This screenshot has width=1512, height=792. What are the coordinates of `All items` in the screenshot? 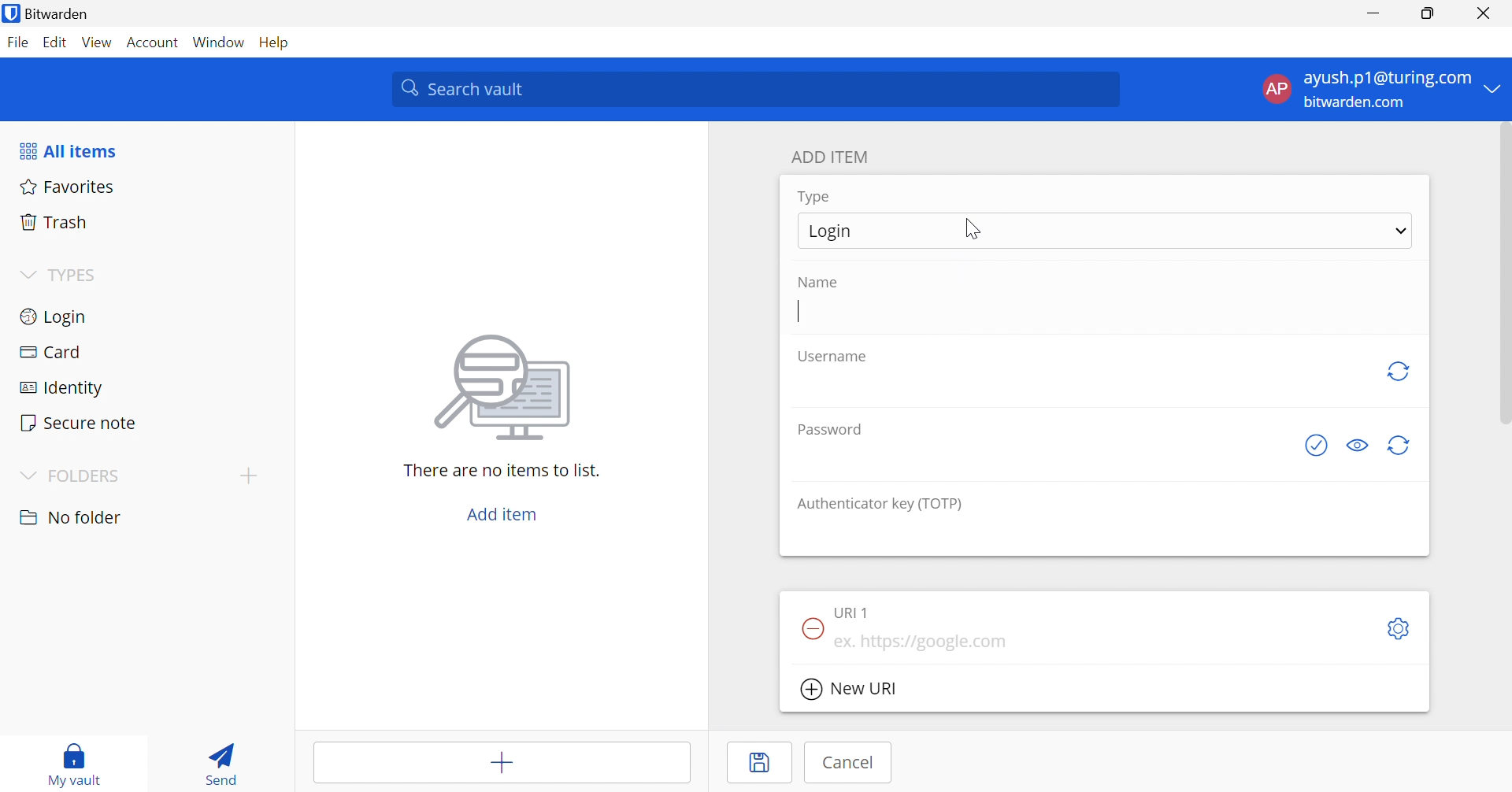 It's located at (67, 149).